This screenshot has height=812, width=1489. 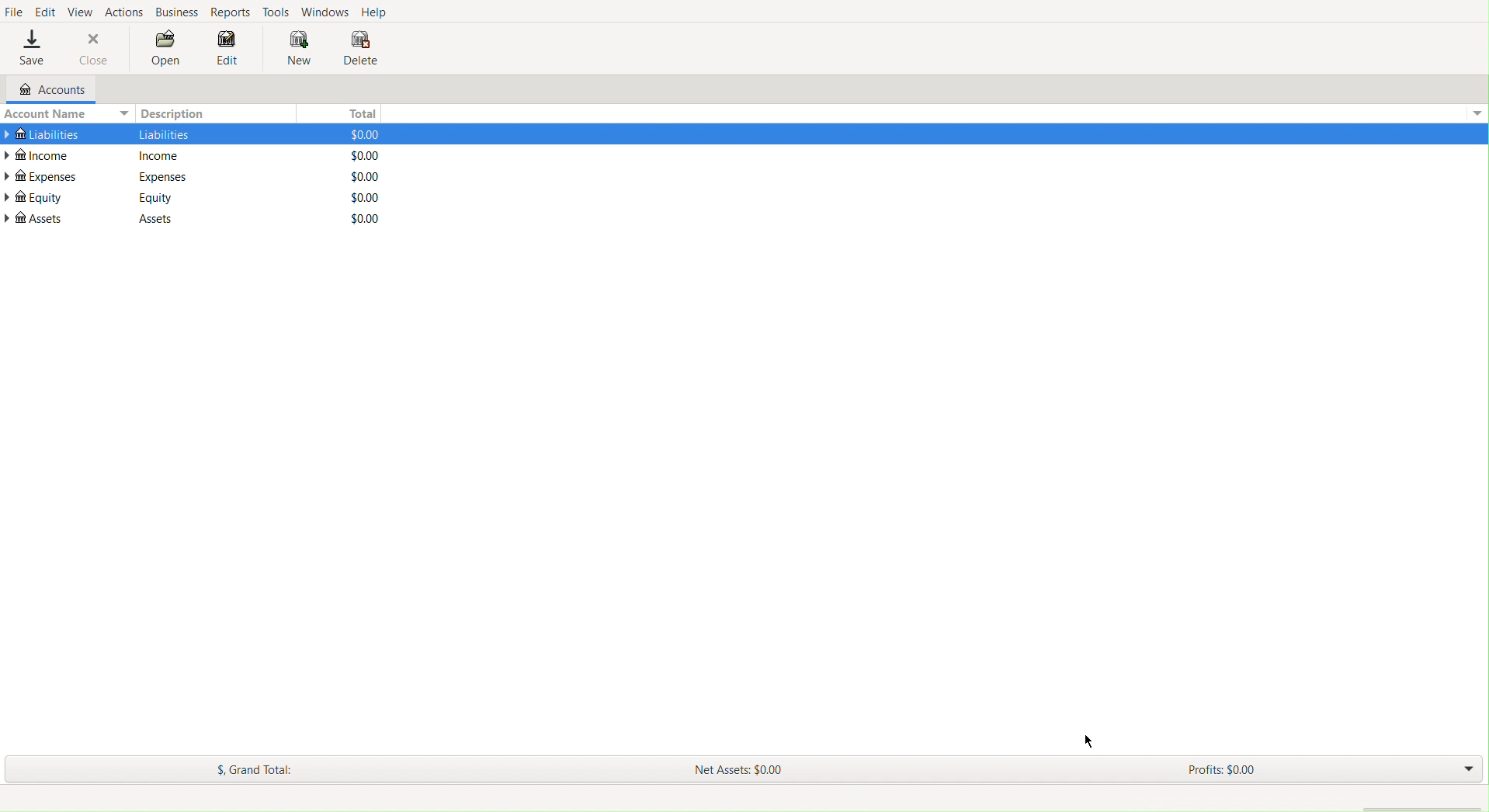 What do you see at coordinates (82, 10) in the screenshot?
I see `View` at bounding box center [82, 10].